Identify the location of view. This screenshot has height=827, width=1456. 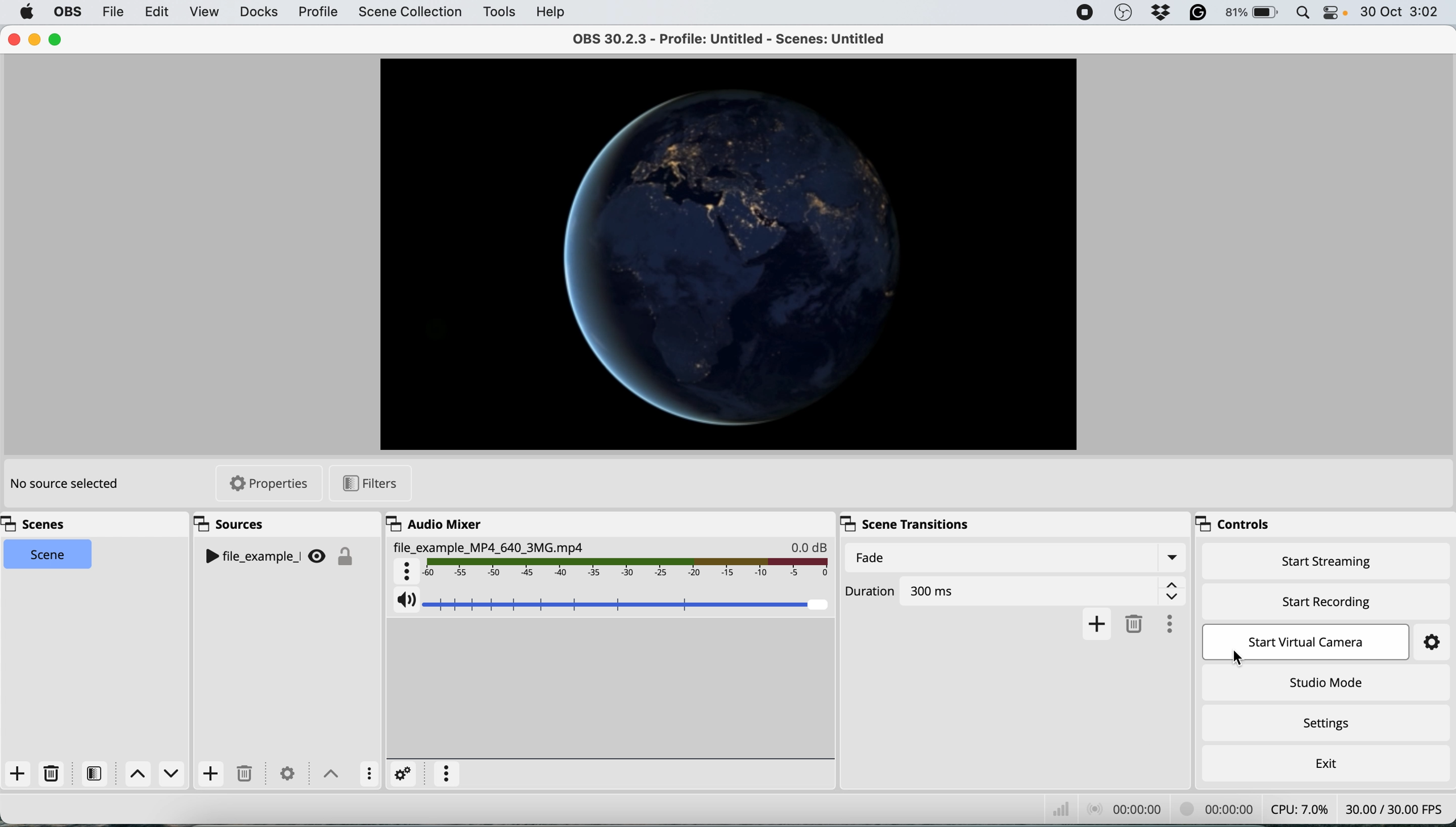
(204, 12).